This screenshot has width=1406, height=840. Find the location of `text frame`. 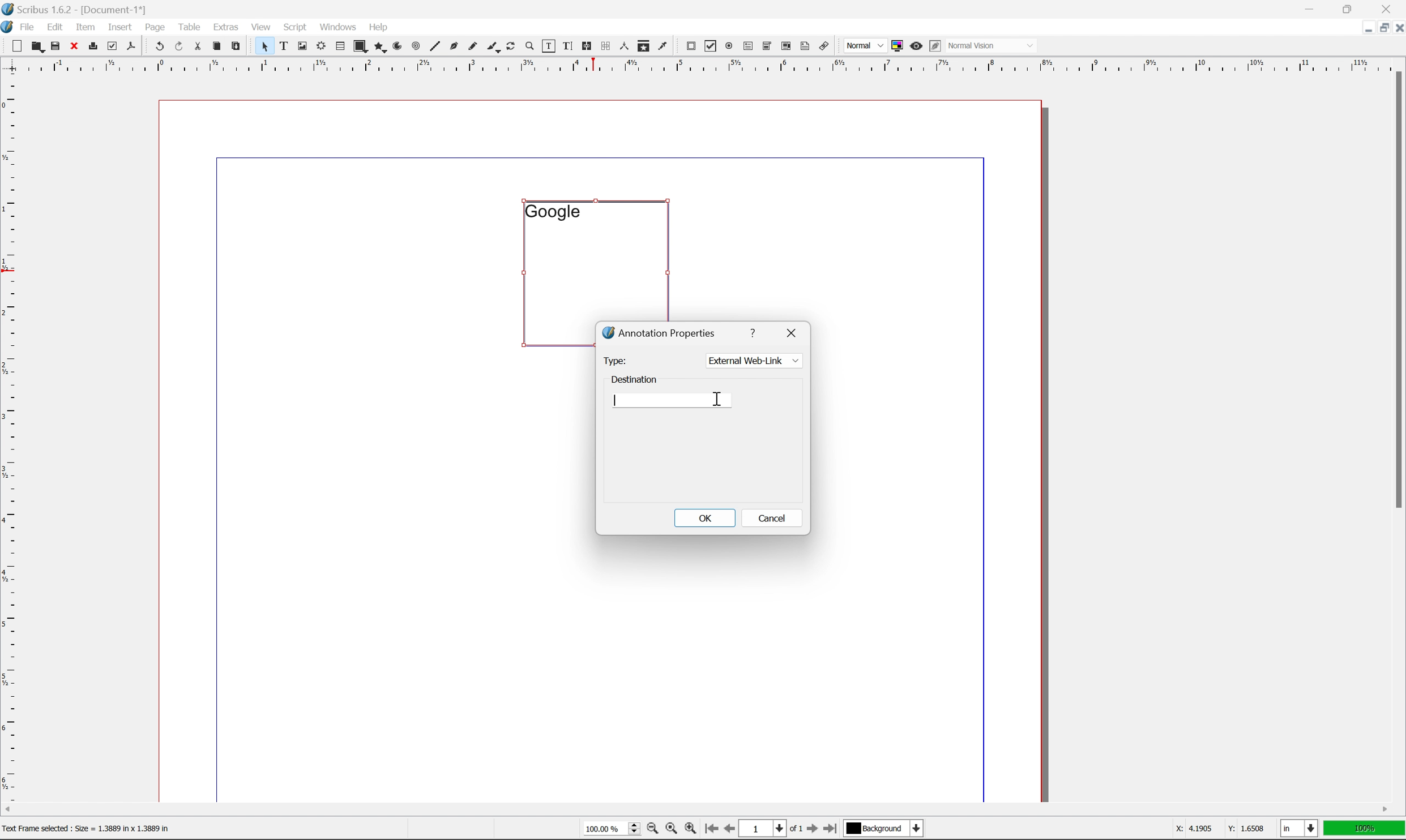

text frame is located at coordinates (284, 45).